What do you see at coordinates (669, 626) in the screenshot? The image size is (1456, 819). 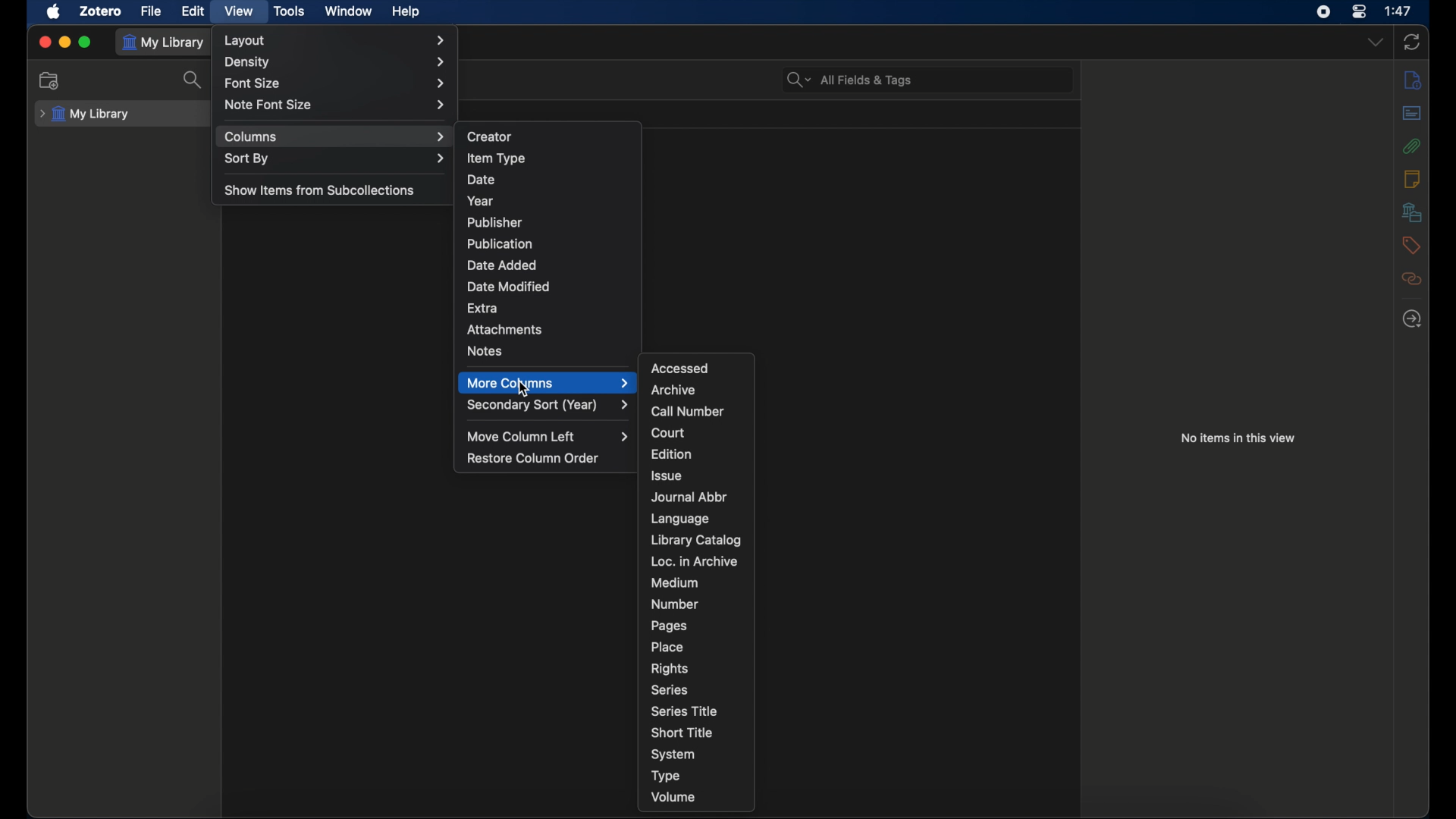 I see `pages` at bounding box center [669, 626].